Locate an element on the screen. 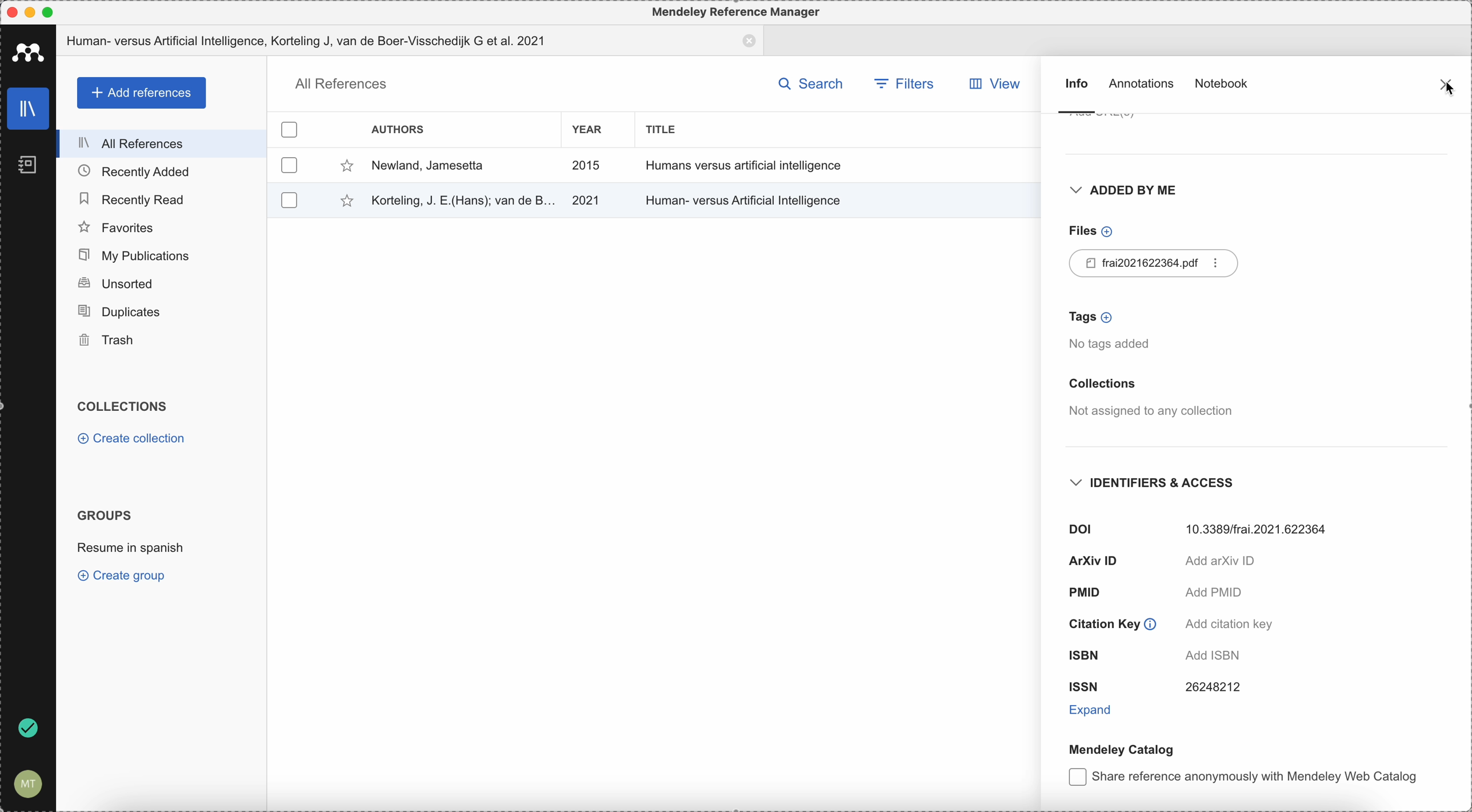 This screenshot has width=1472, height=812. favorite is located at coordinates (339, 202).